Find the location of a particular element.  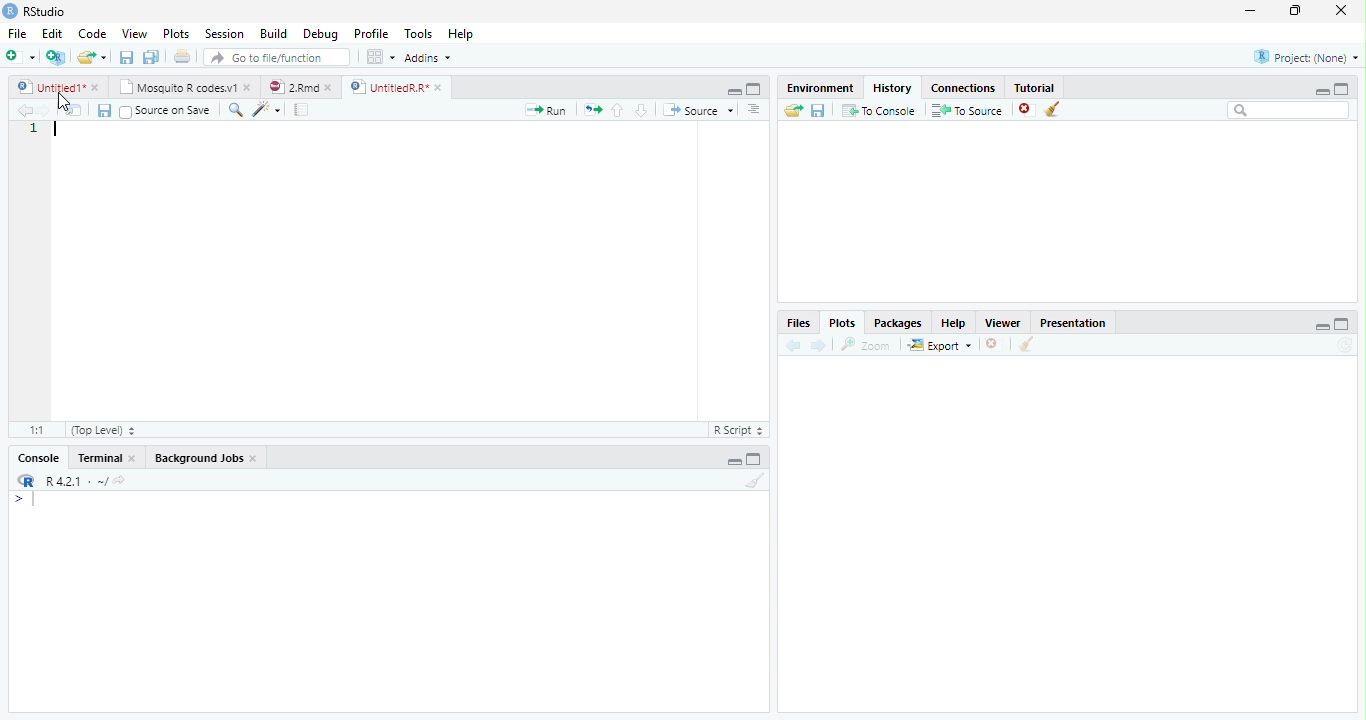

close is located at coordinates (328, 87).